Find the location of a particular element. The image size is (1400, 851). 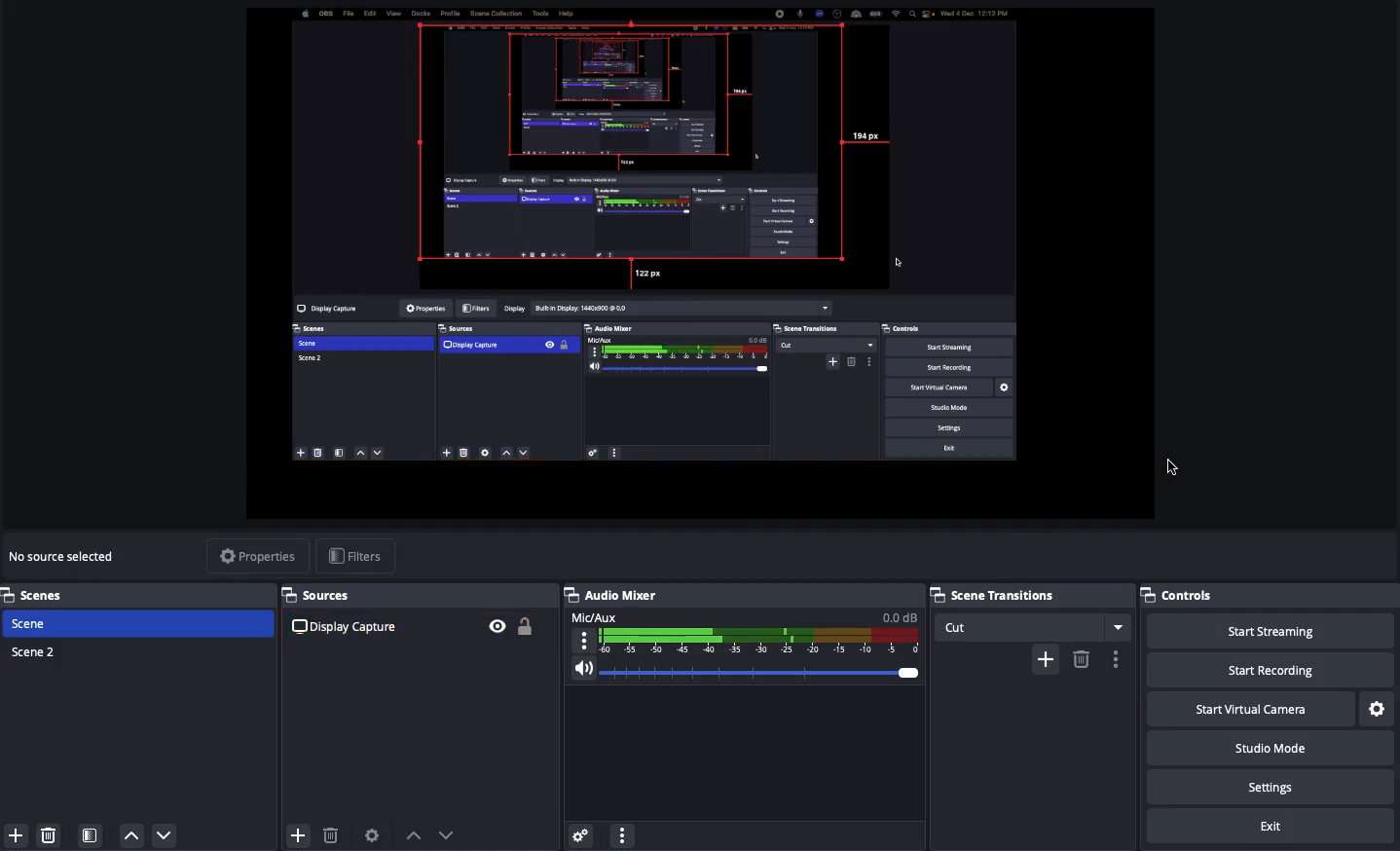

Move down is located at coordinates (164, 834).